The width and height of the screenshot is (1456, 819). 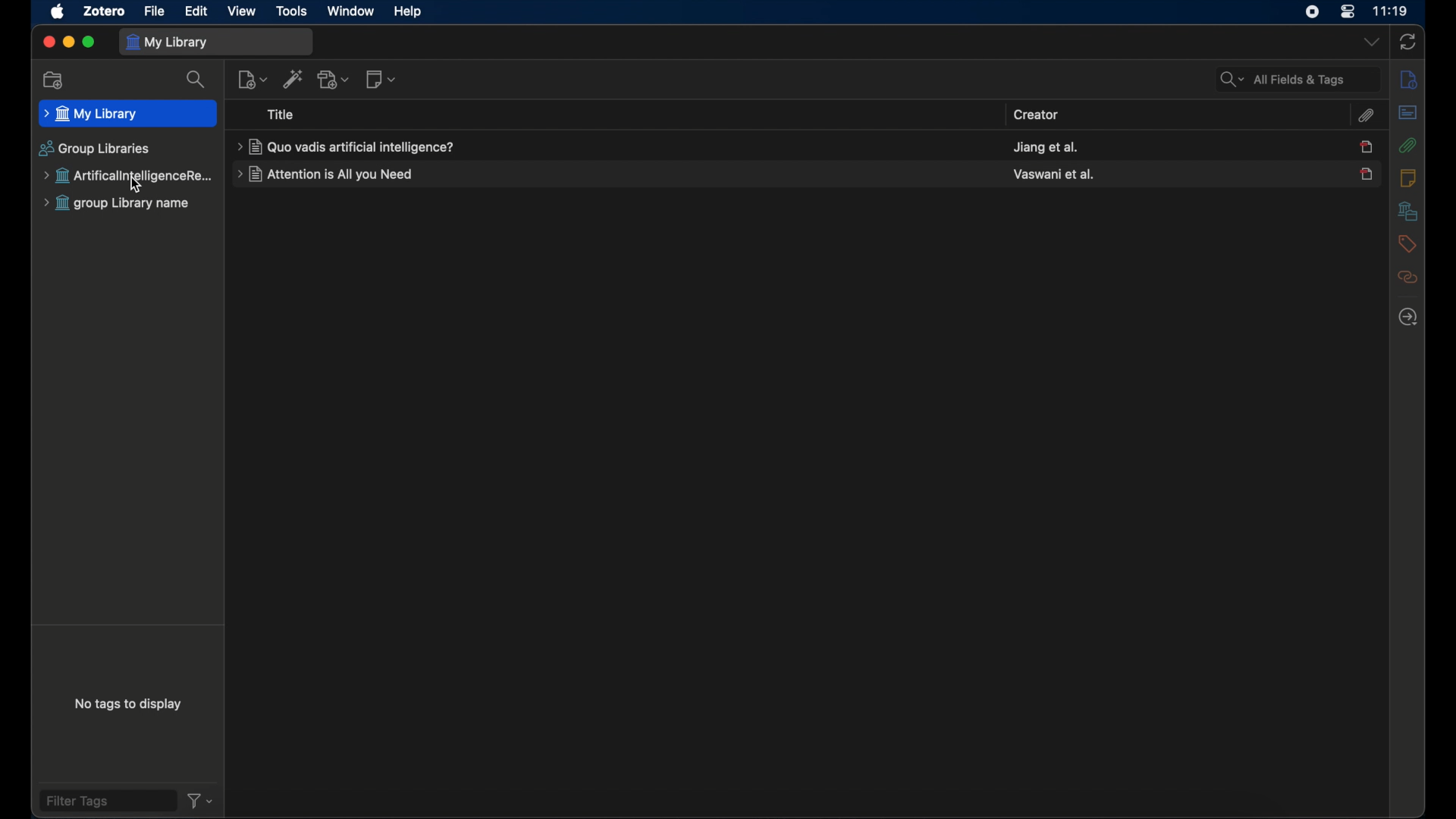 What do you see at coordinates (352, 13) in the screenshot?
I see `window` at bounding box center [352, 13].